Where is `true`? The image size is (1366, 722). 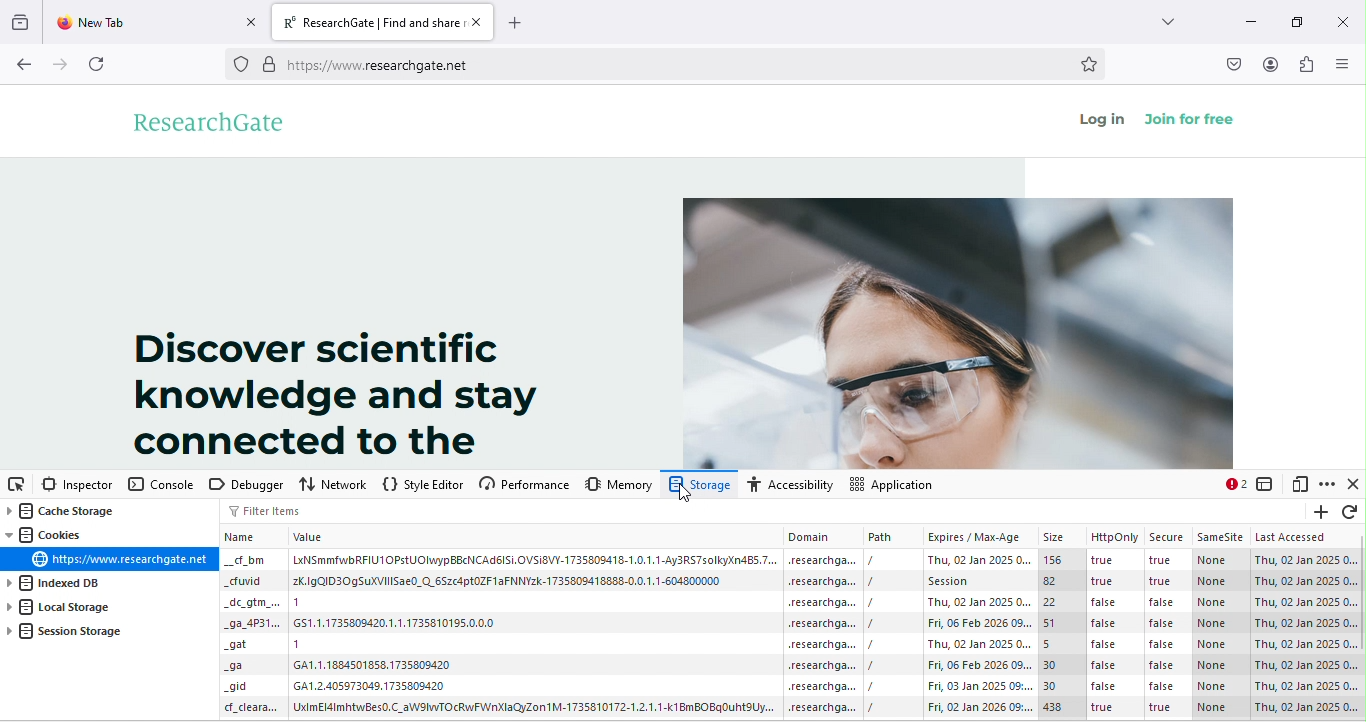
true is located at coordinates (1164, 708).